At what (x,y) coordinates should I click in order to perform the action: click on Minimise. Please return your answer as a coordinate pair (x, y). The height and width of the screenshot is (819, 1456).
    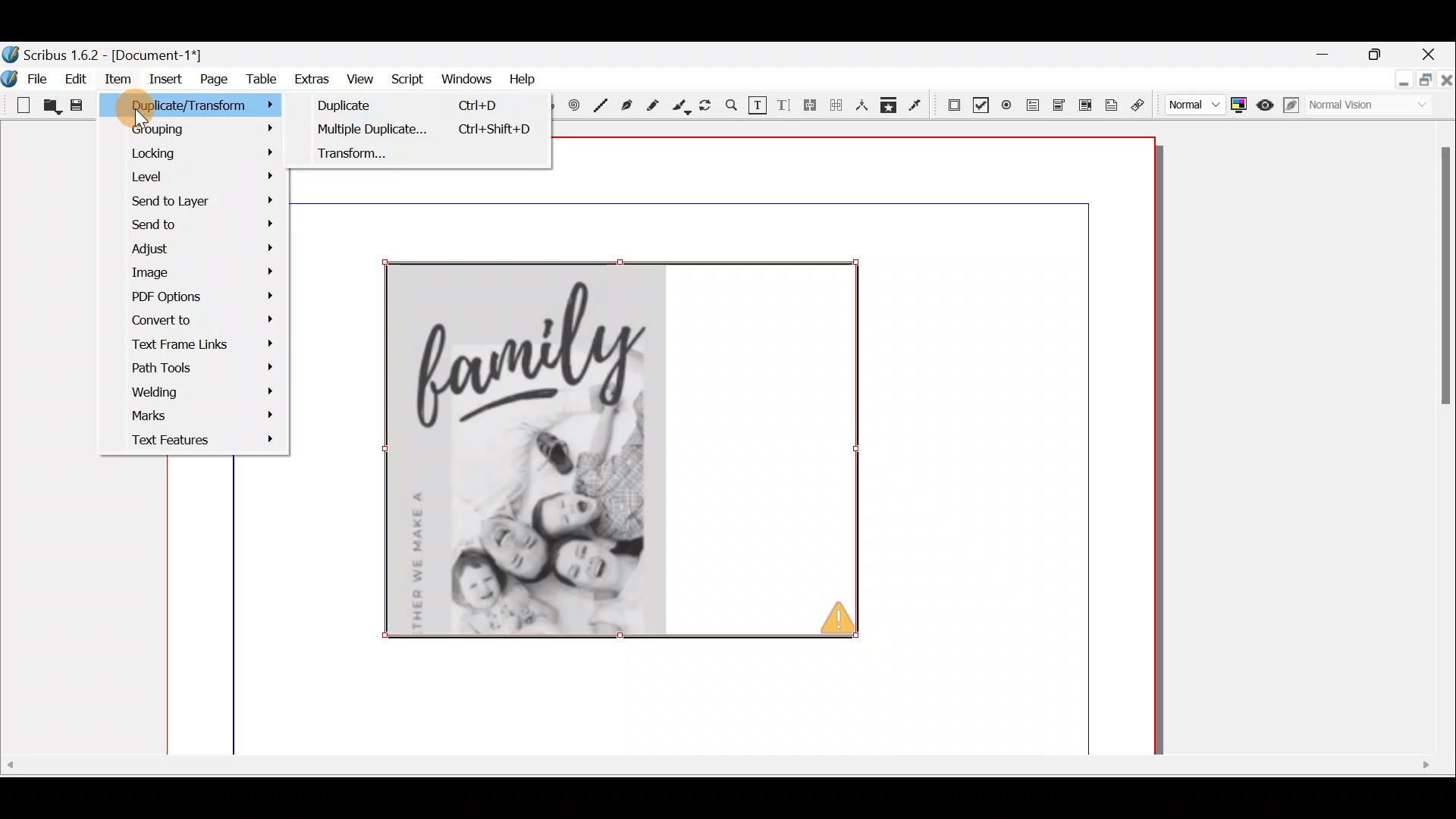
    Looking at the image, I should click on (1394, 83).